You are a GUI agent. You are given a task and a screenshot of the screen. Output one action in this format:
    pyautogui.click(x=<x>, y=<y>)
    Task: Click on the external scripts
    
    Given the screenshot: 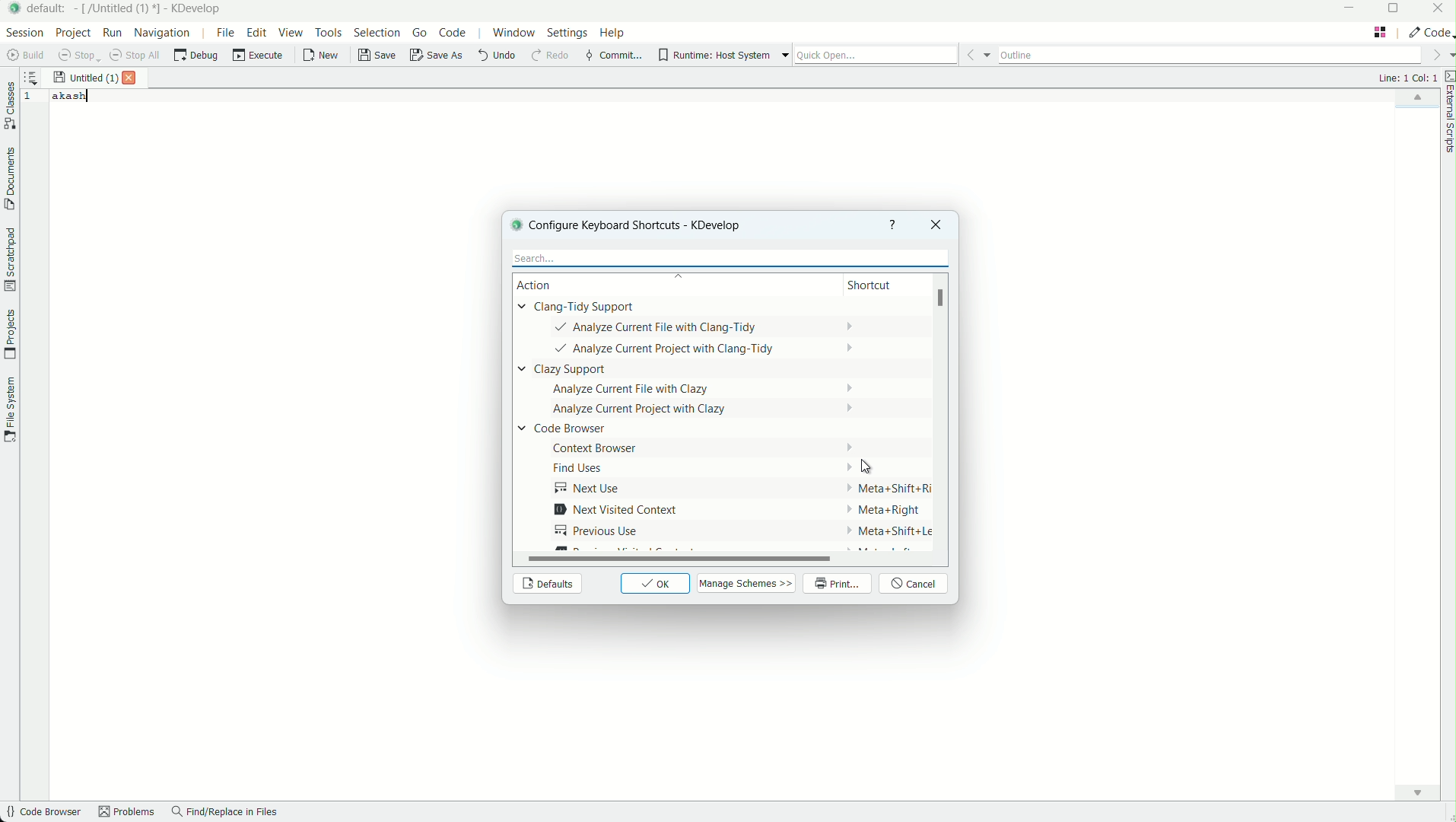 What is the action you would take?
    pyautogui.click(x=1447, y=114)
    